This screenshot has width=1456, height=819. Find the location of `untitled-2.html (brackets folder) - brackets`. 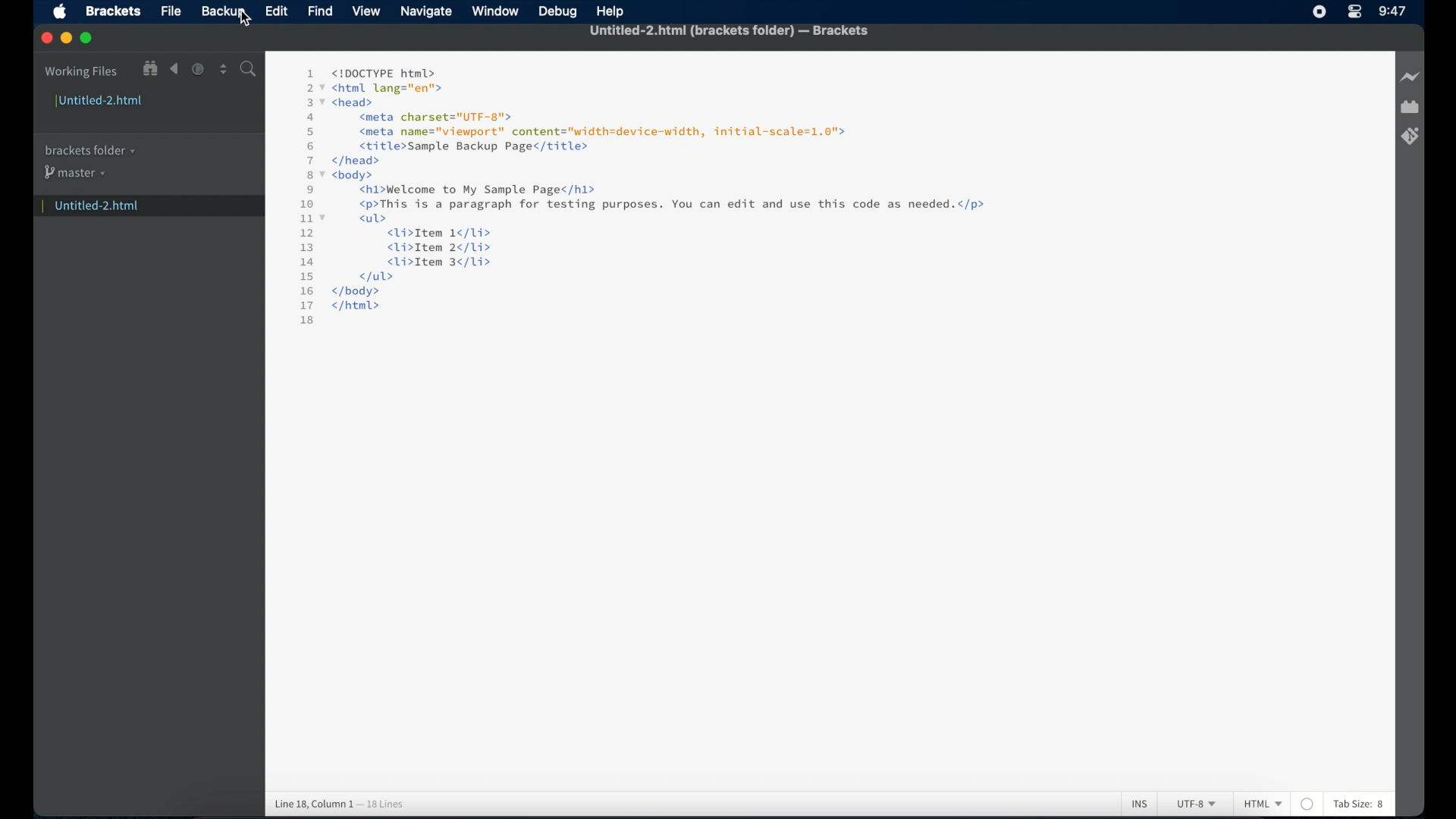

untitled-2.html (brackets folder) - brackets is located at coordinates (729, 31).